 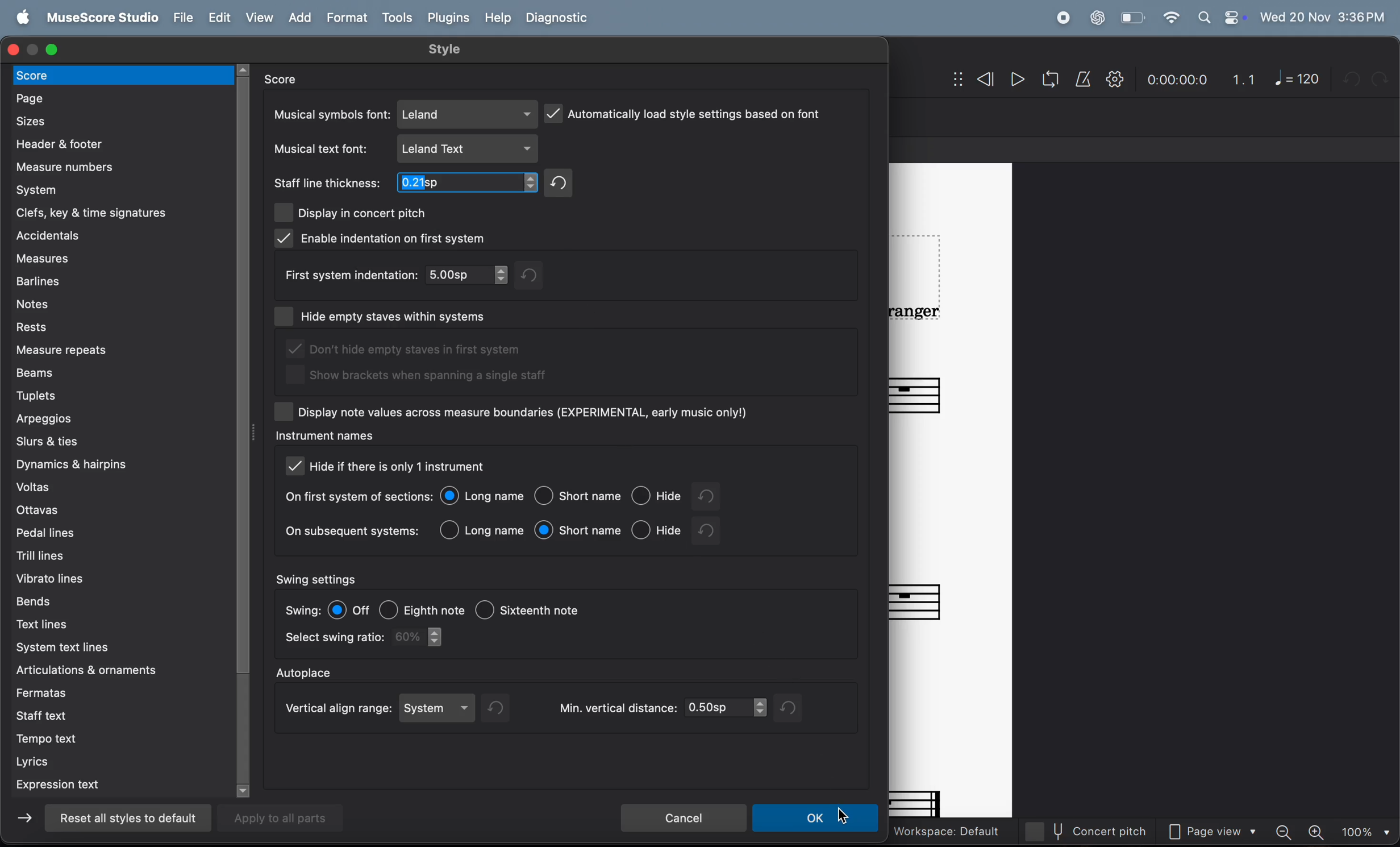 I want to click on cursor, so click(x=843, y=816).